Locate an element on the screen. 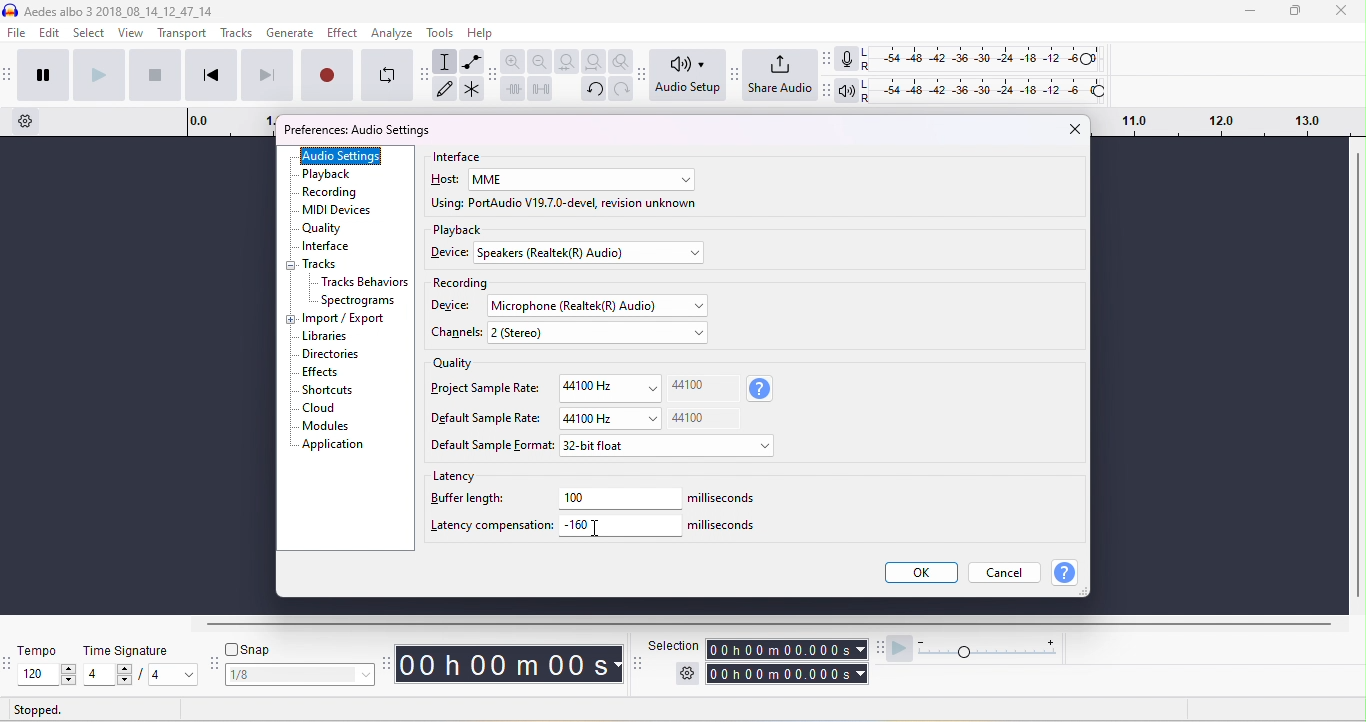  selection tool is located at coordinates (446, 61).